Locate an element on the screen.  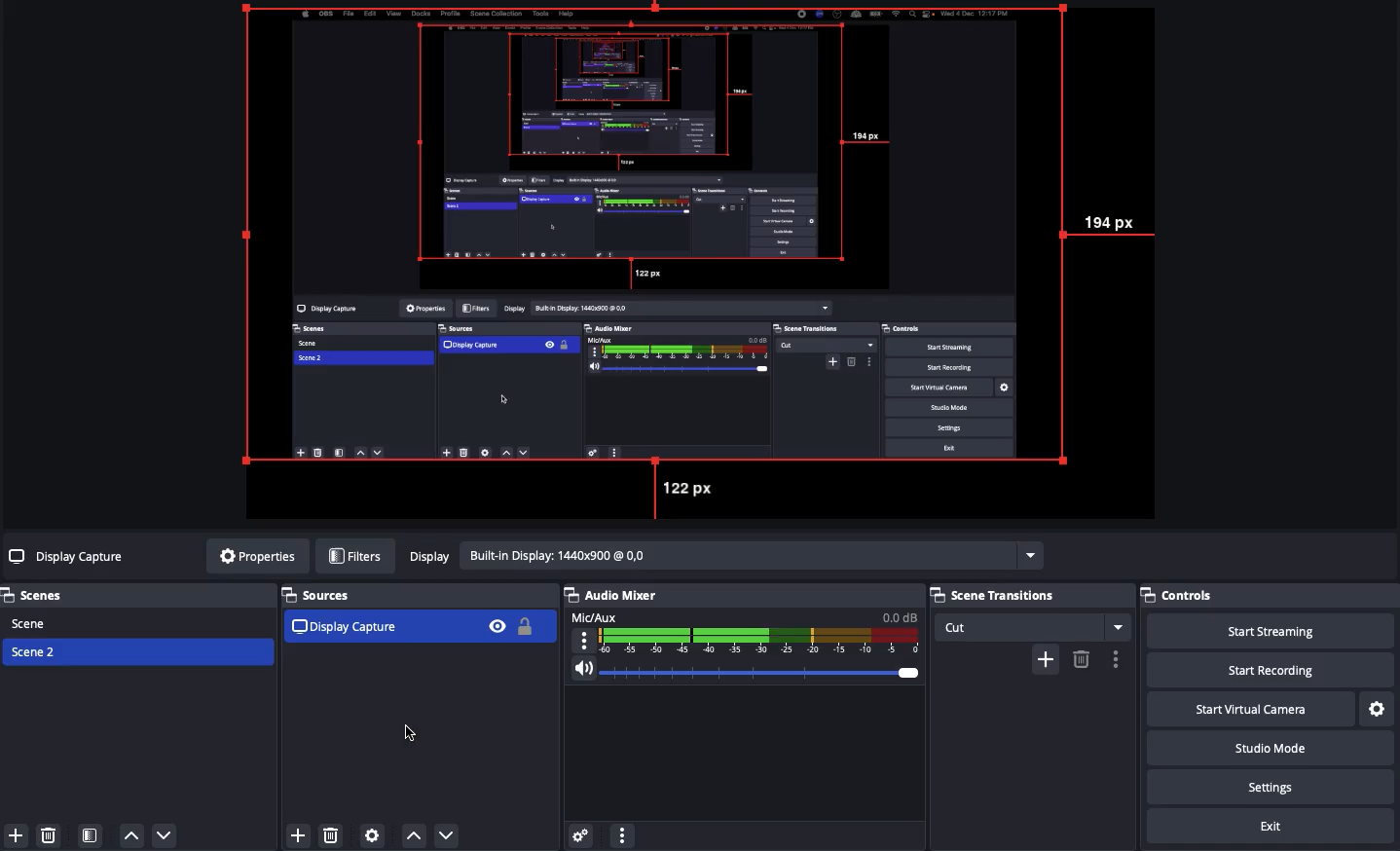
Scene filter is located at coordinates (91, 834).